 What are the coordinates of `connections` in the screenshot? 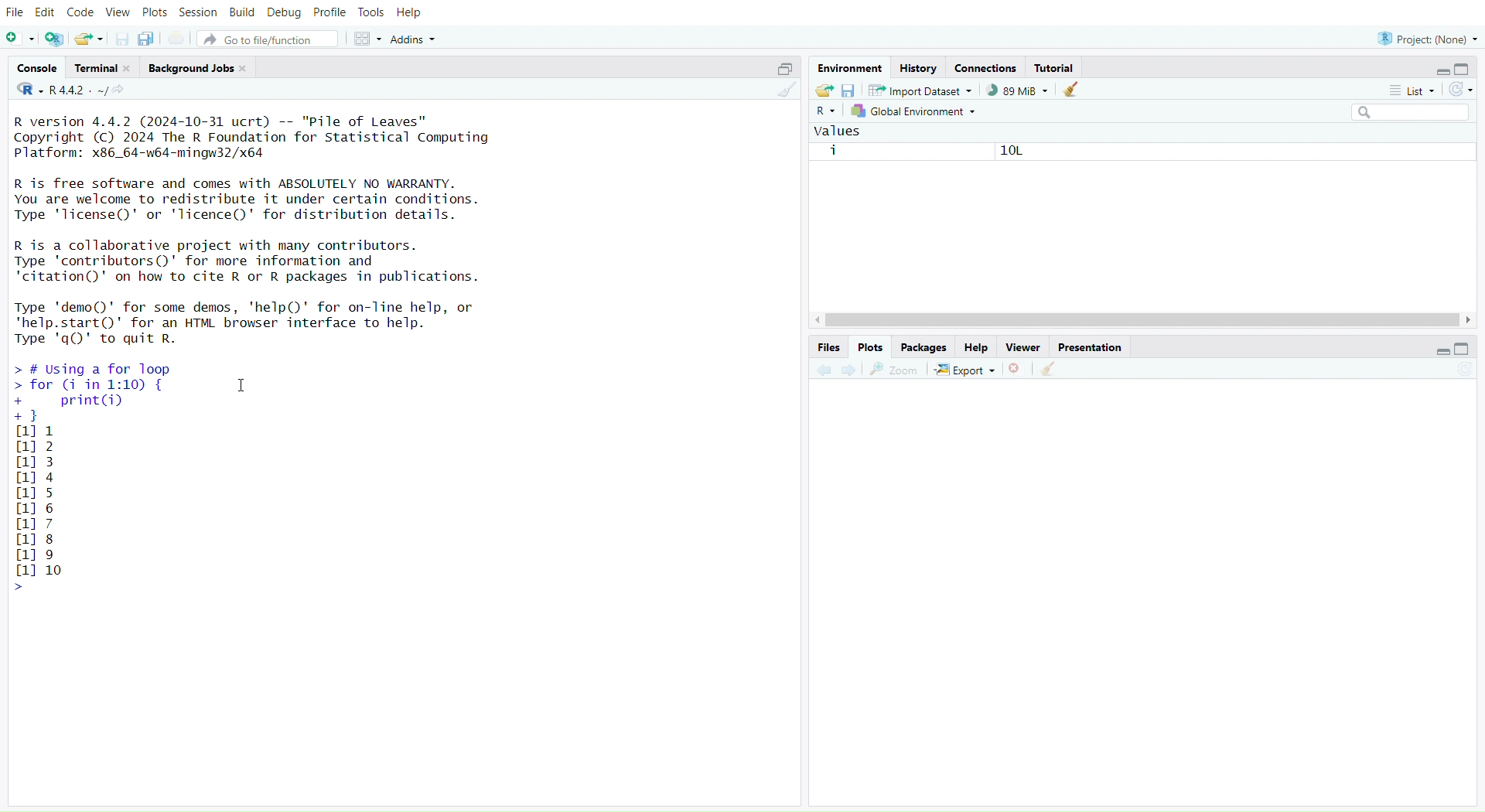 It's located at (988, 67).